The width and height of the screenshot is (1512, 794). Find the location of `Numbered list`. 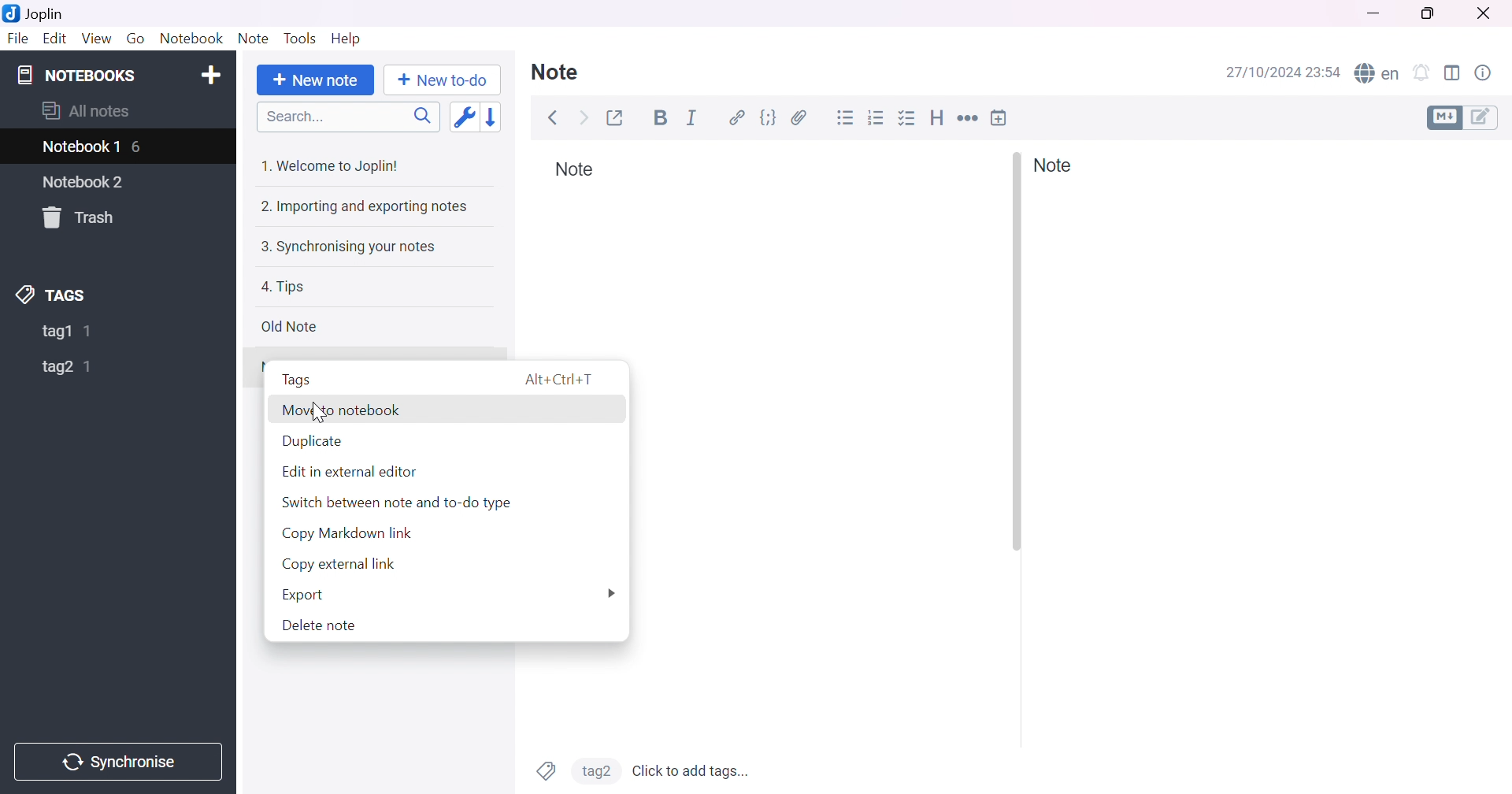

Numbered list is located at coordinates (877, 118).